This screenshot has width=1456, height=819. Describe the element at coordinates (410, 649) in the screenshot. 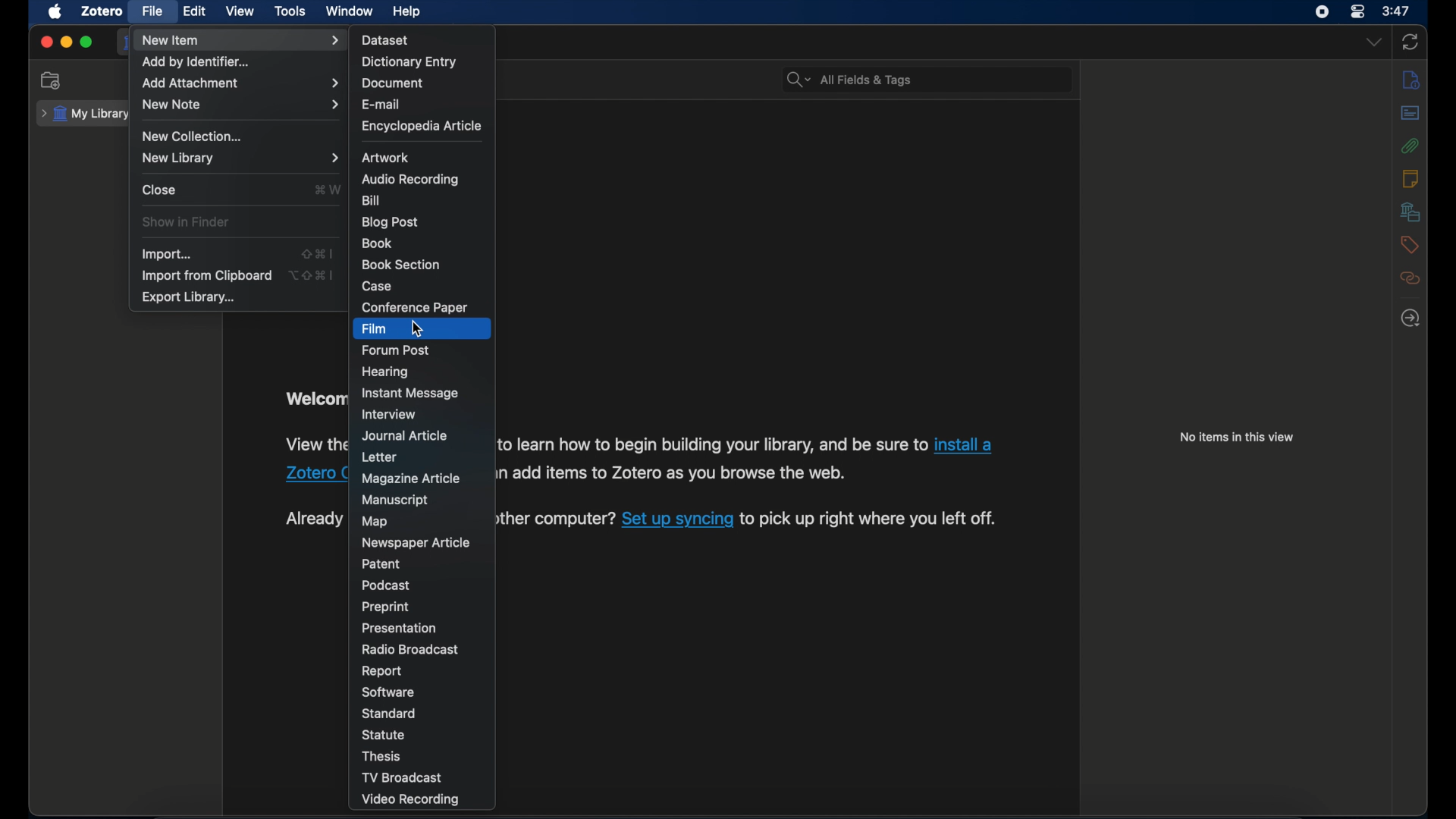

I see `radio broadcast` at that location.